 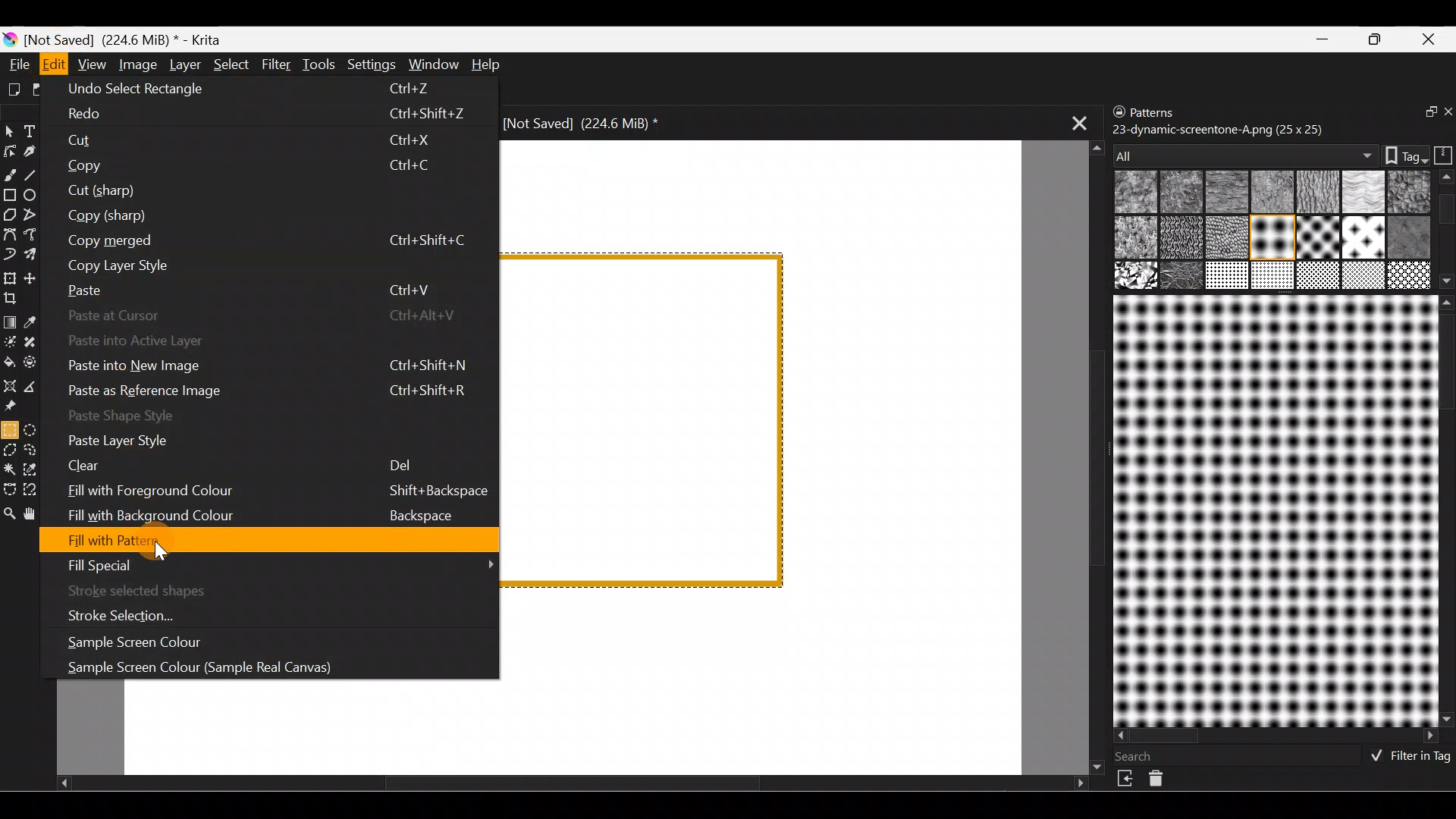 I want to click on Close, so click(x=1432, y=38).